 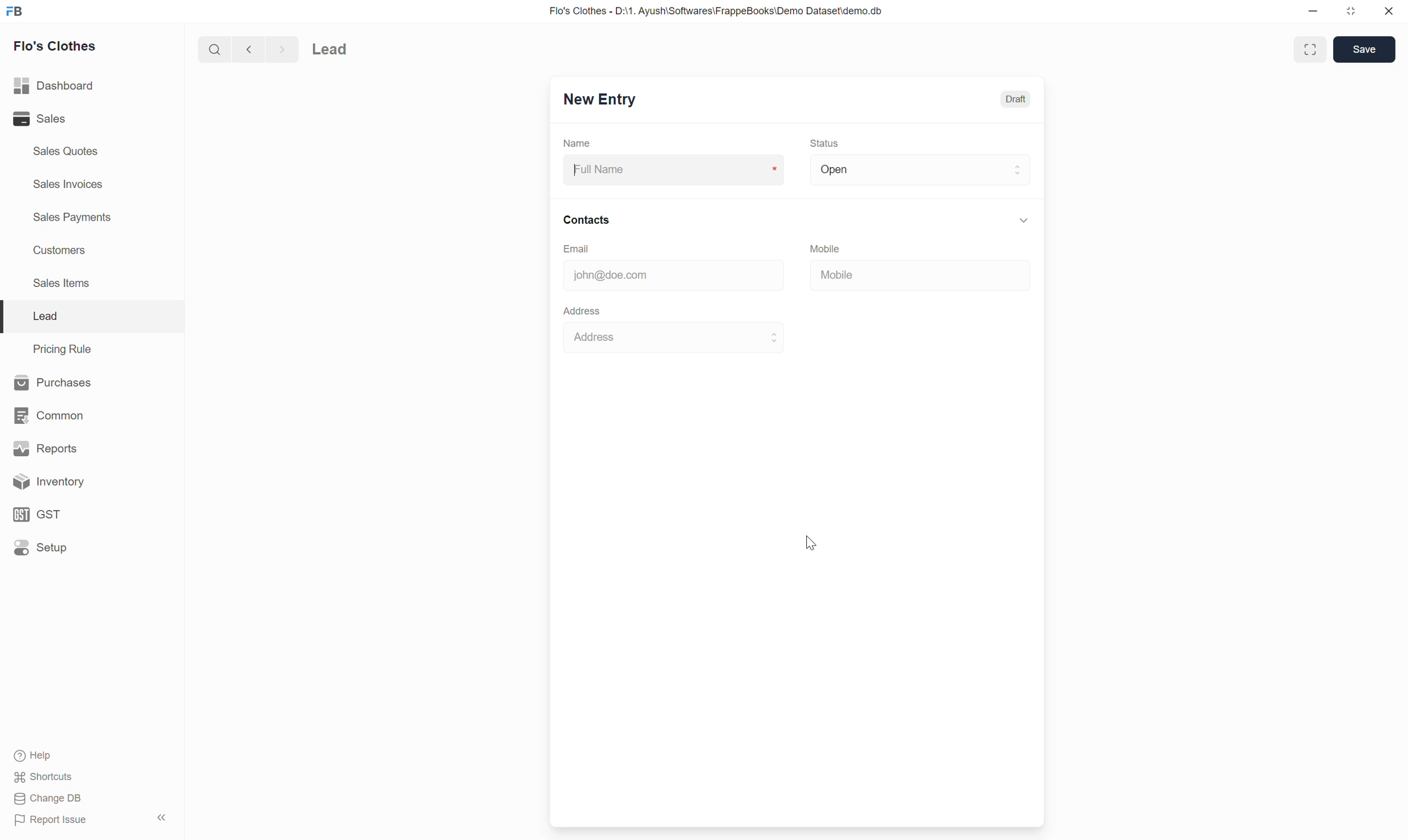 I want to click on Sales Items, so click(x=66, y=286).